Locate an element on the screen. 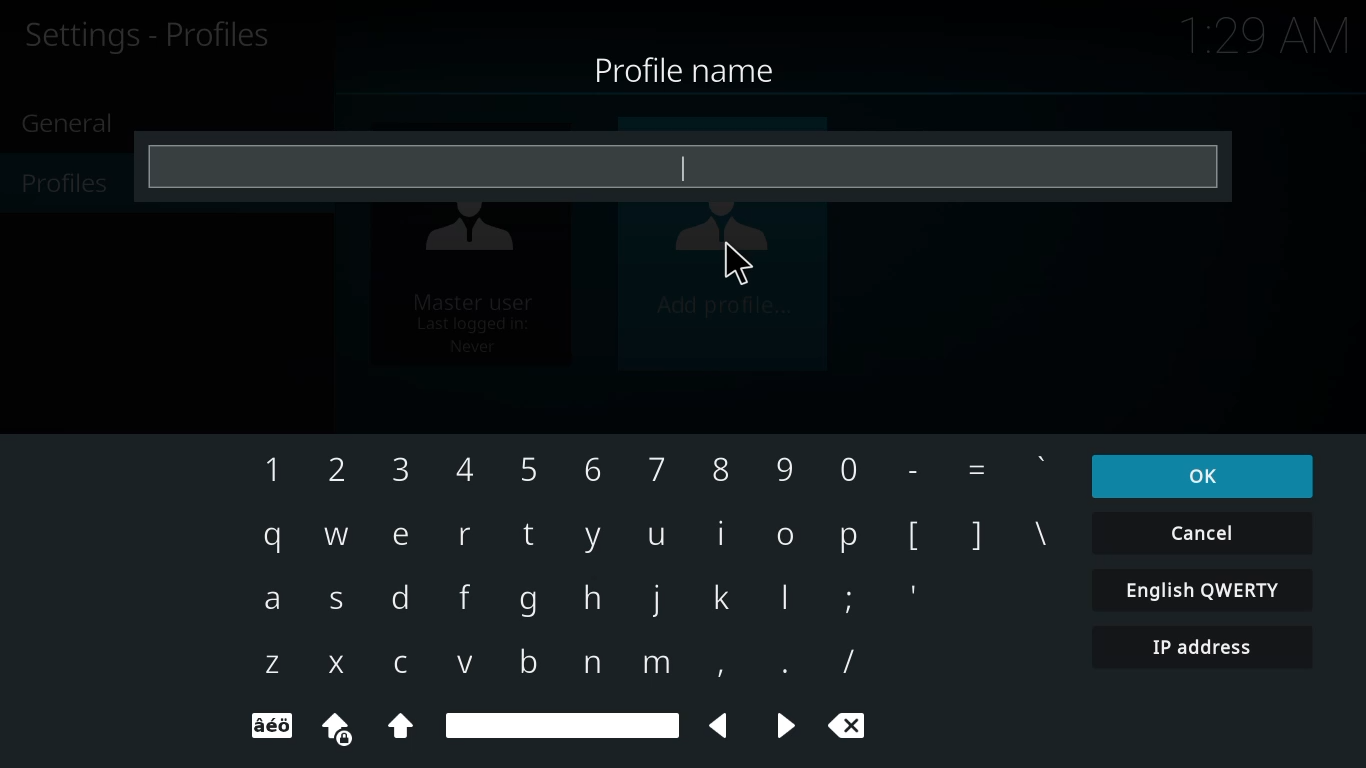  . is located at coordinates (781, 671).